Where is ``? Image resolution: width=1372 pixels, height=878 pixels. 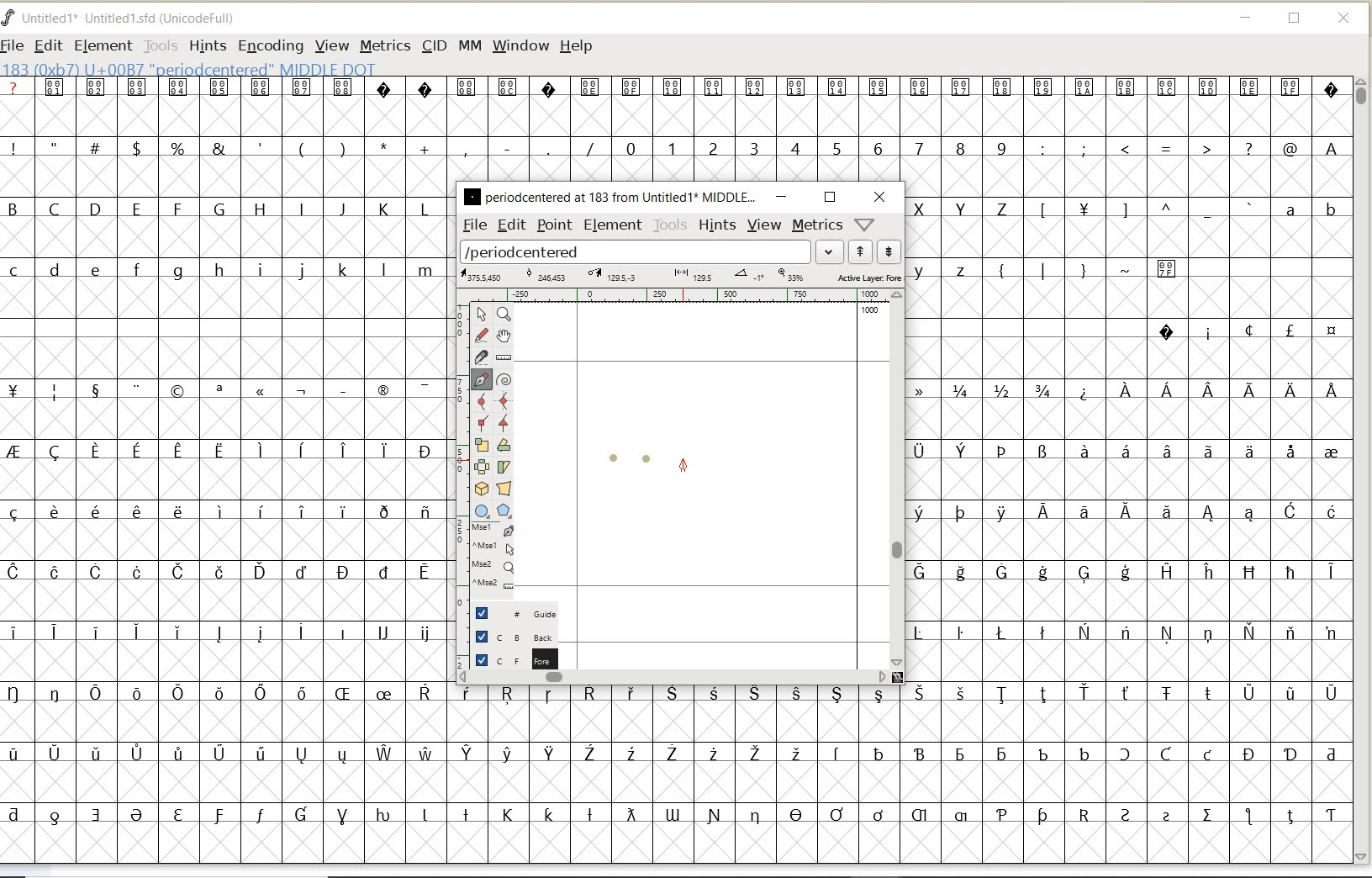  is located at coordinates (1143, 211).